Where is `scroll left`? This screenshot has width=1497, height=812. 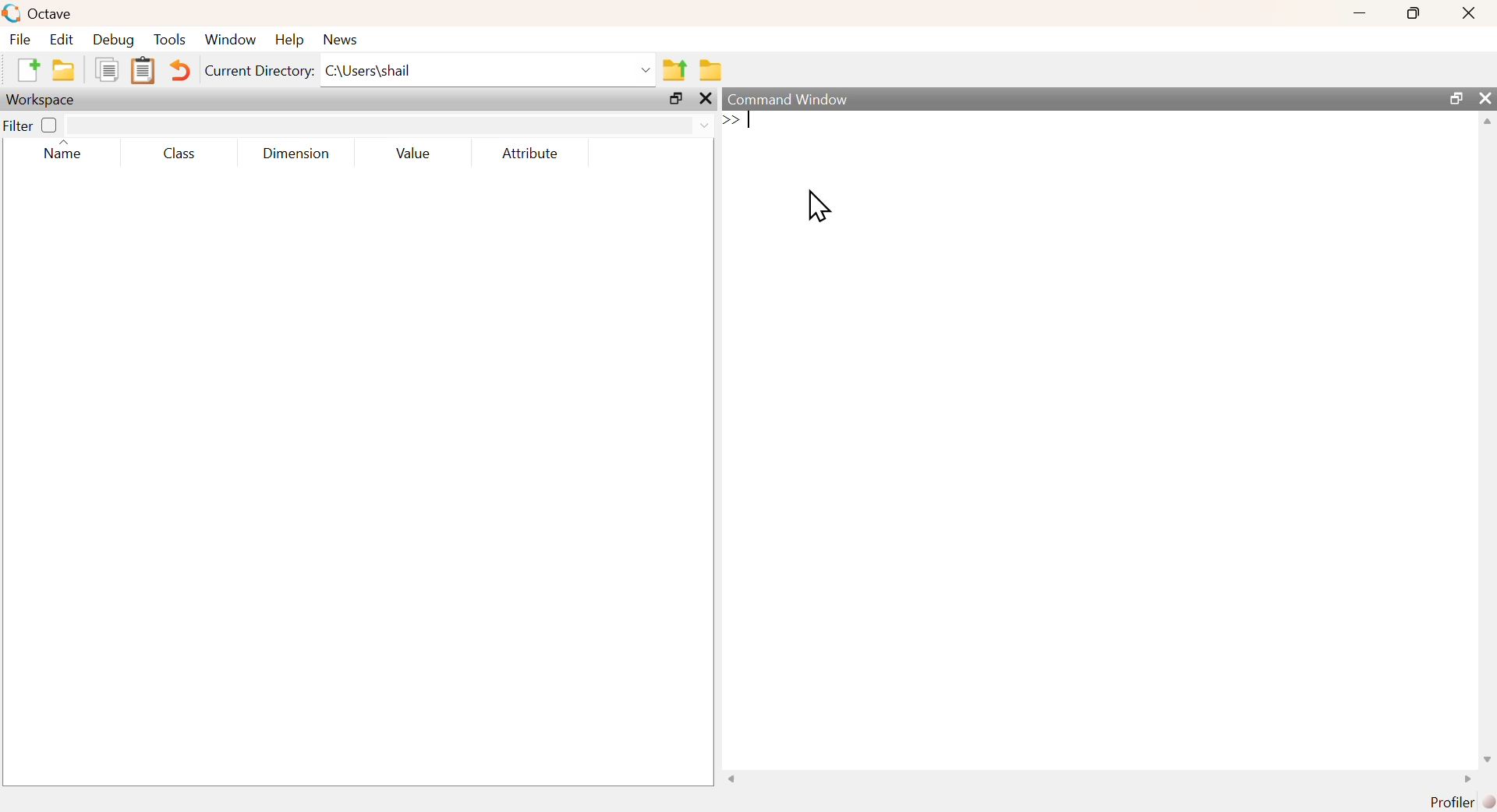
scroll left is located at coordinates (733, 778).